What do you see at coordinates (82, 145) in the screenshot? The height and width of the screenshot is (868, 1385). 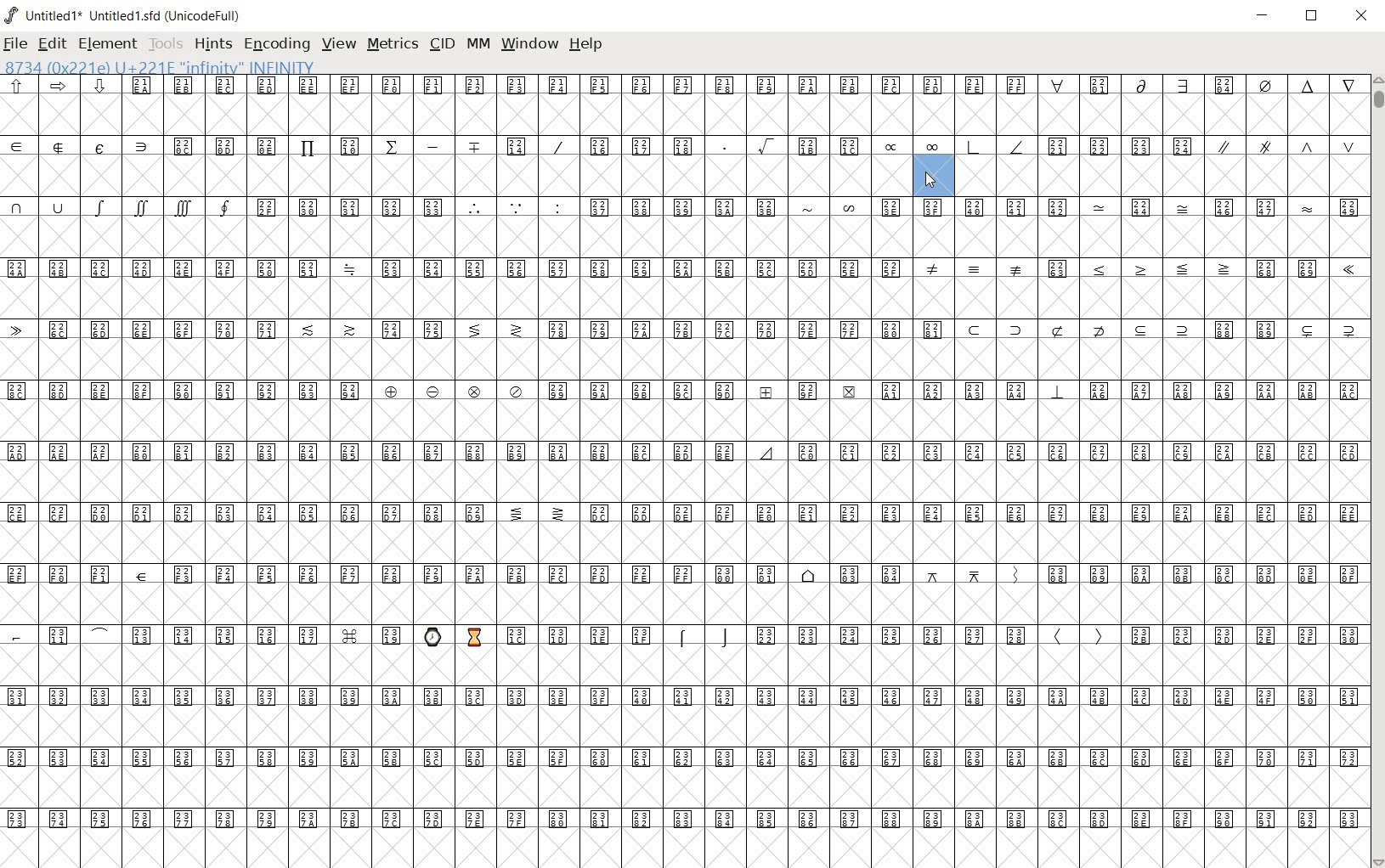 I see `special symbols` at bounding box center [82, 145].